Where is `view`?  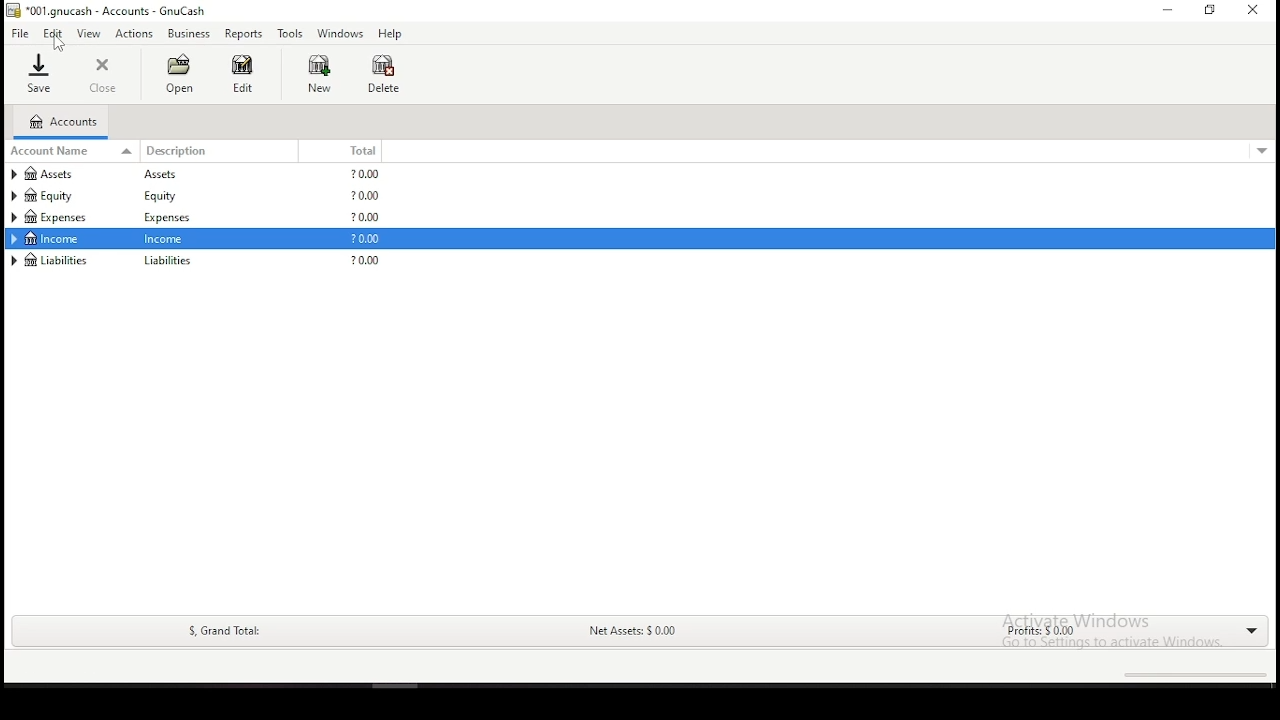
view is located at coordinates (89, 34).